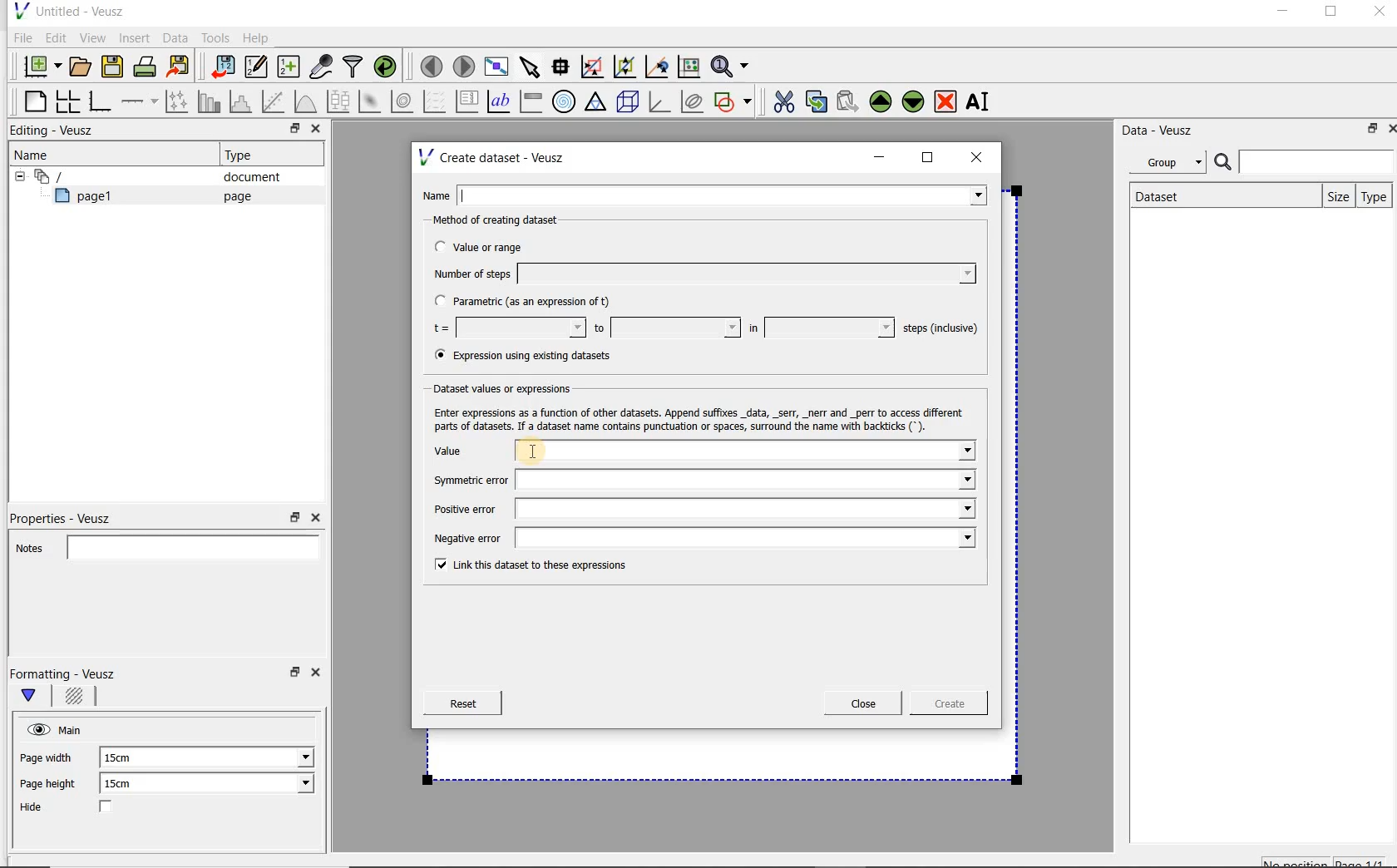 The width and height of the screenshot is (1397, 868). I want to click on Main, so click(73, 728).